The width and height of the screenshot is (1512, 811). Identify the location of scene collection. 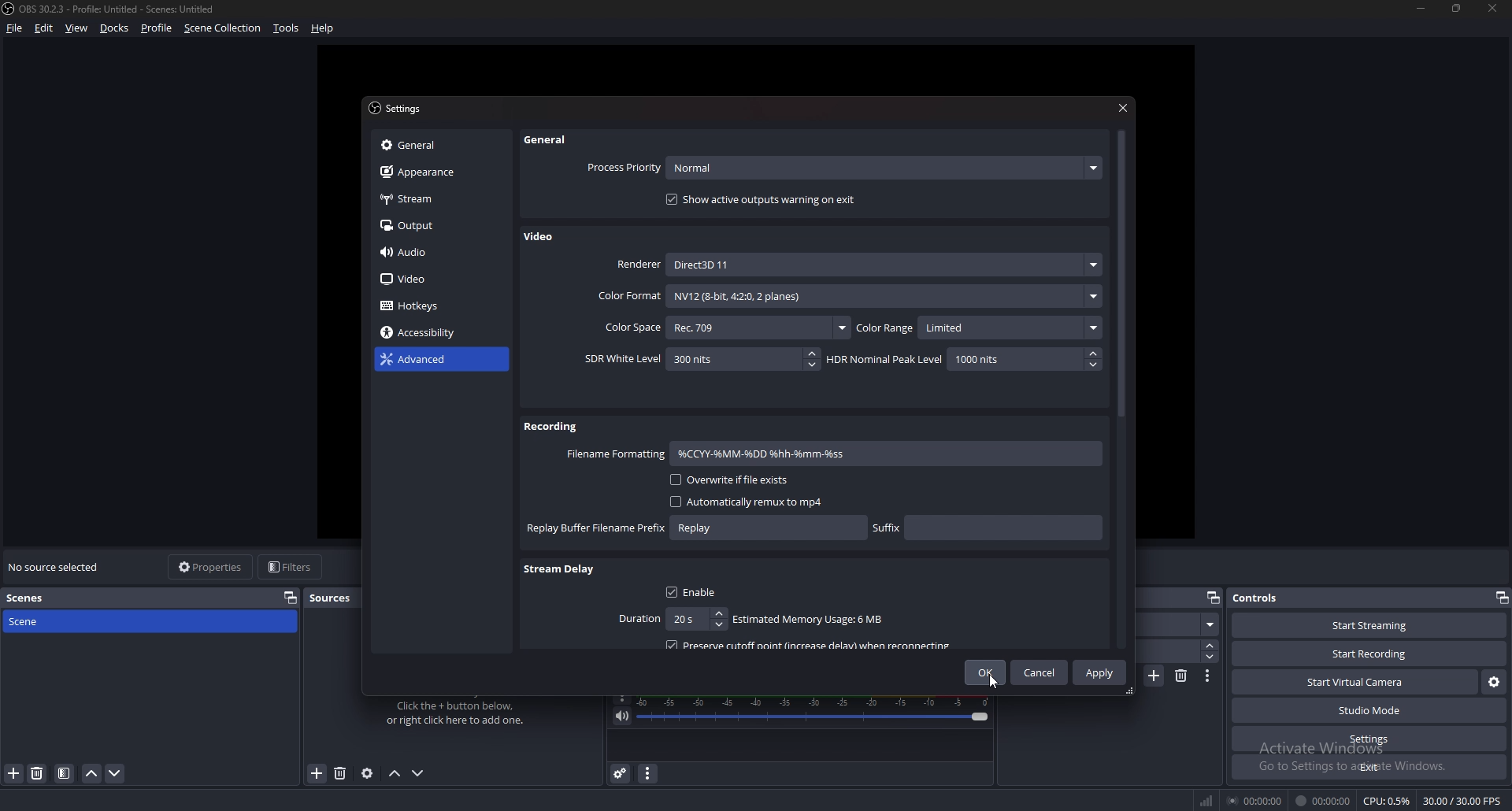
(224, 28).